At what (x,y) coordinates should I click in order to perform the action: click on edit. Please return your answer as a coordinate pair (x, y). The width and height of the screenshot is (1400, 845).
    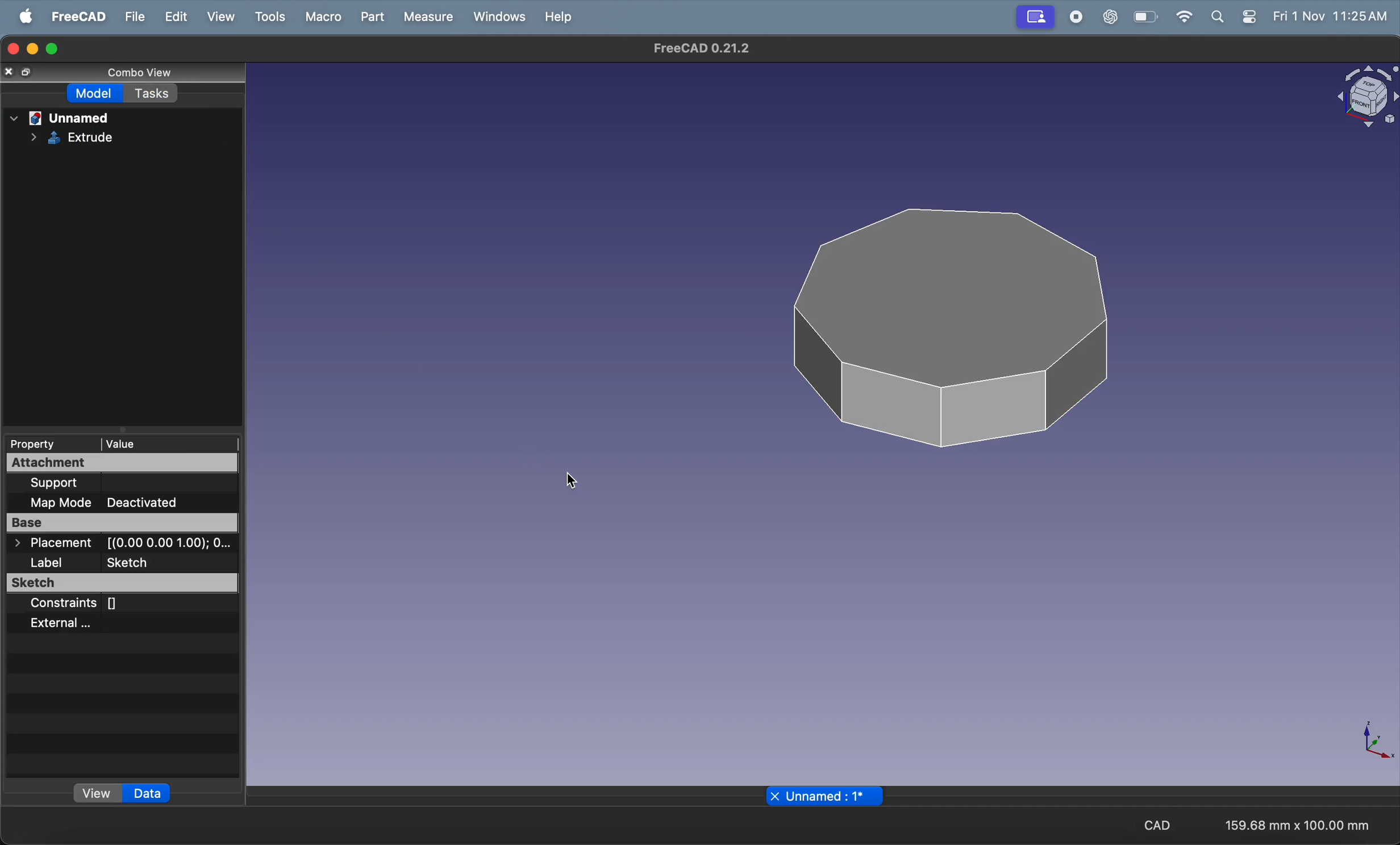
    Looking at the image, I should click on (172, 16).